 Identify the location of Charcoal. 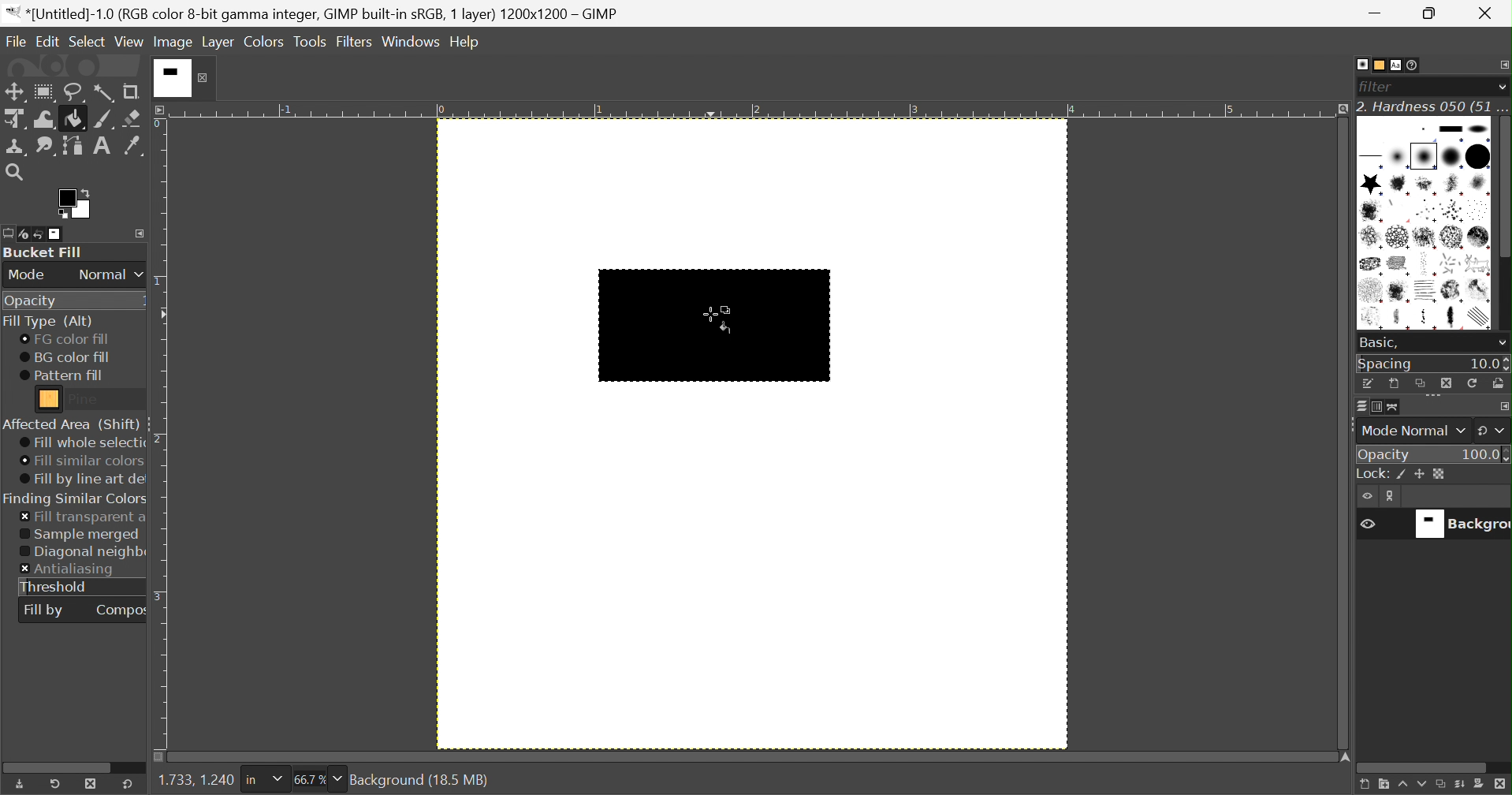
(1398, 264).